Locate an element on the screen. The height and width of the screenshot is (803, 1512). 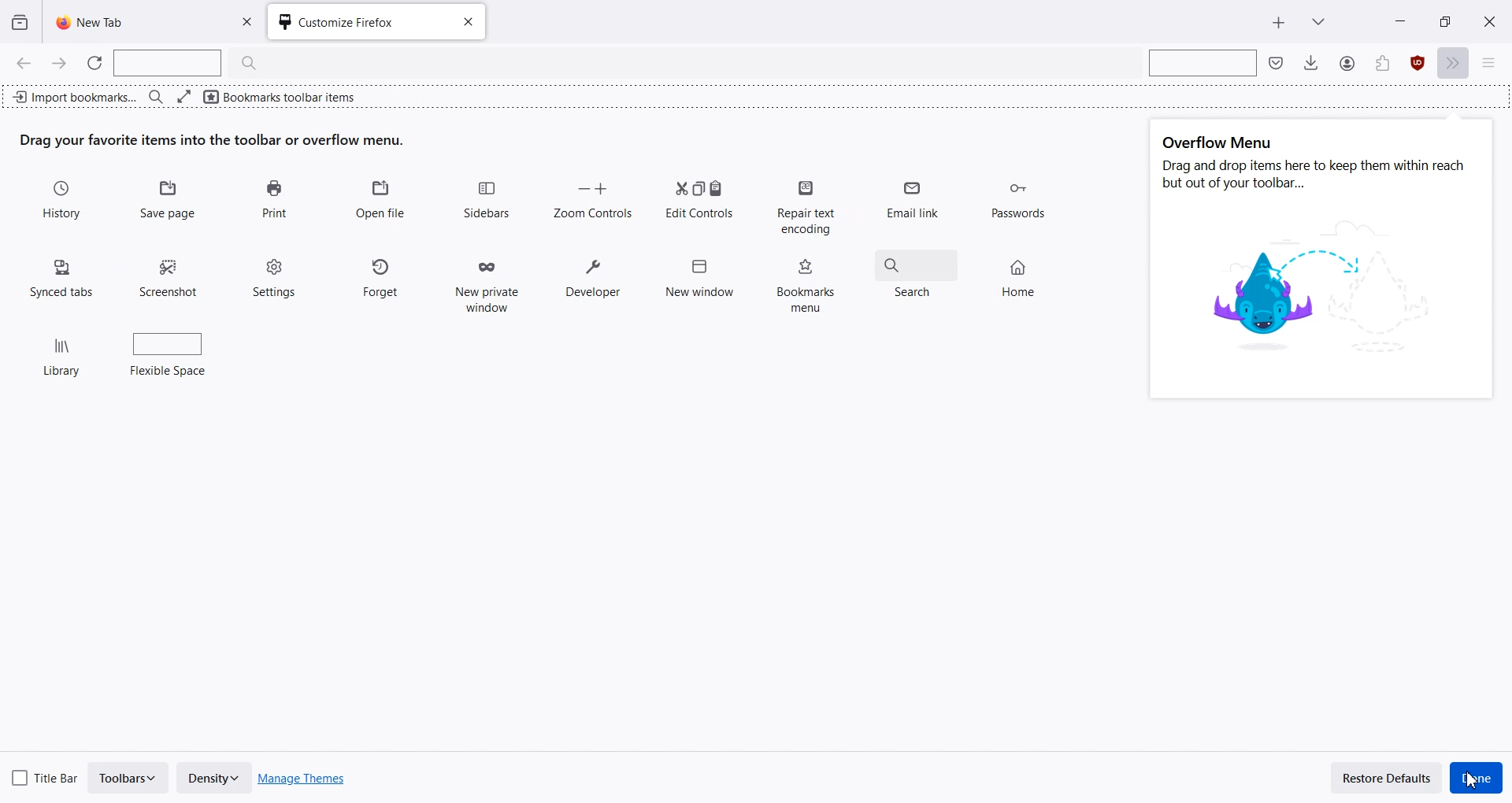
Developer is located at coordinates (593, 279).